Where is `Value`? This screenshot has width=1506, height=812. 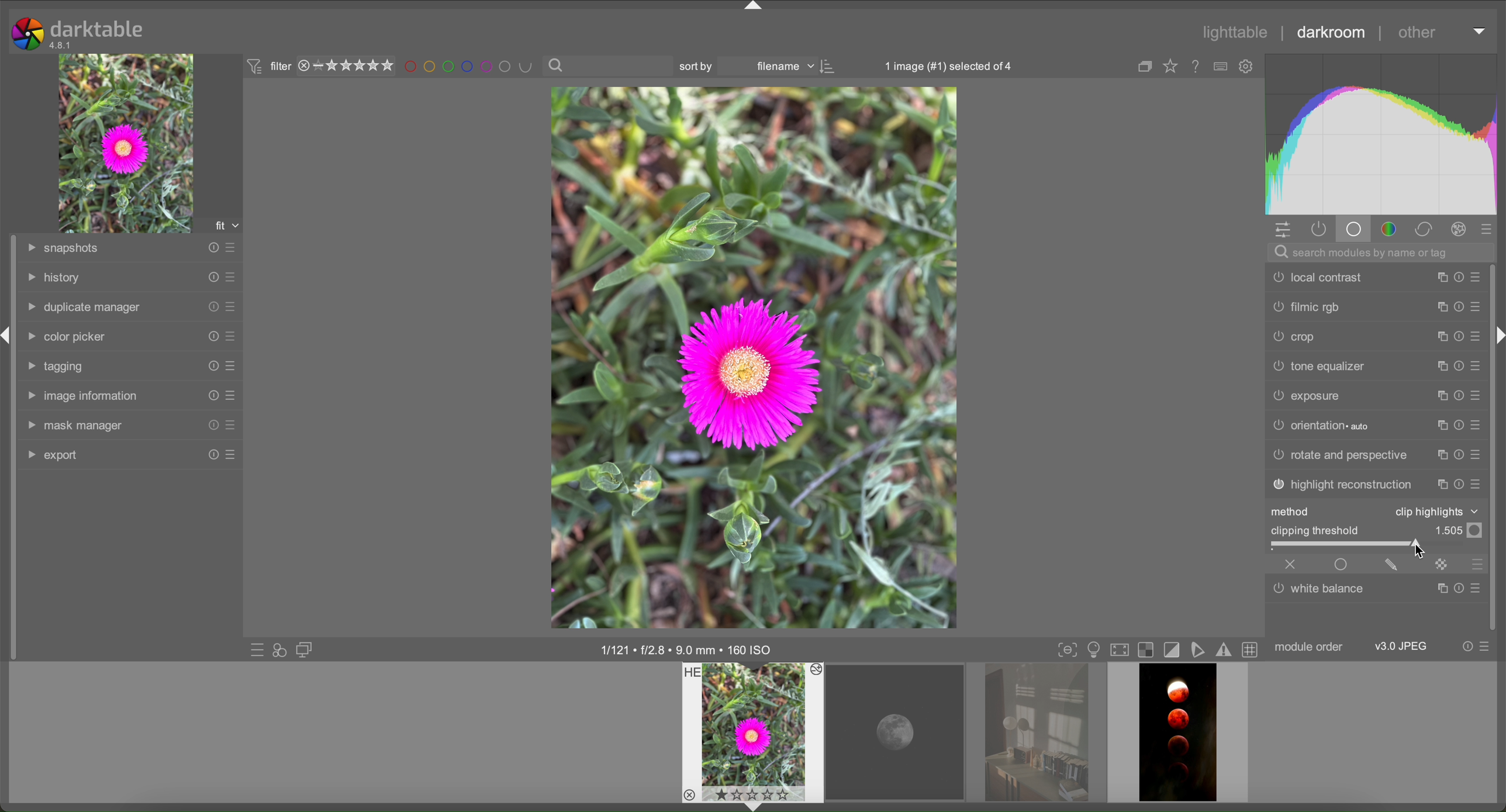 Value is located at coordinates (1457, 530).